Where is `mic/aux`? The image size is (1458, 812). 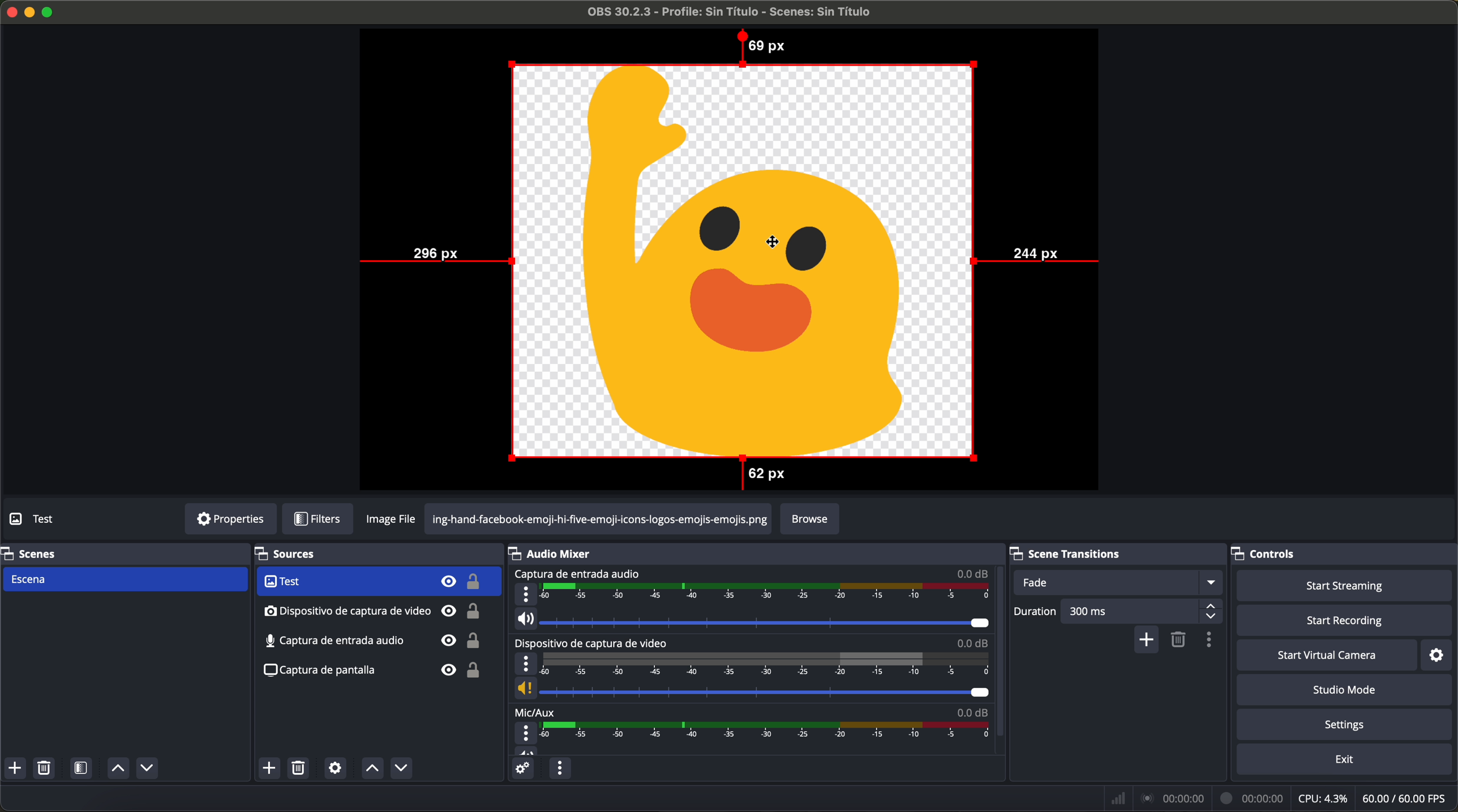
mic/aux is located at coordinates (535, 711).